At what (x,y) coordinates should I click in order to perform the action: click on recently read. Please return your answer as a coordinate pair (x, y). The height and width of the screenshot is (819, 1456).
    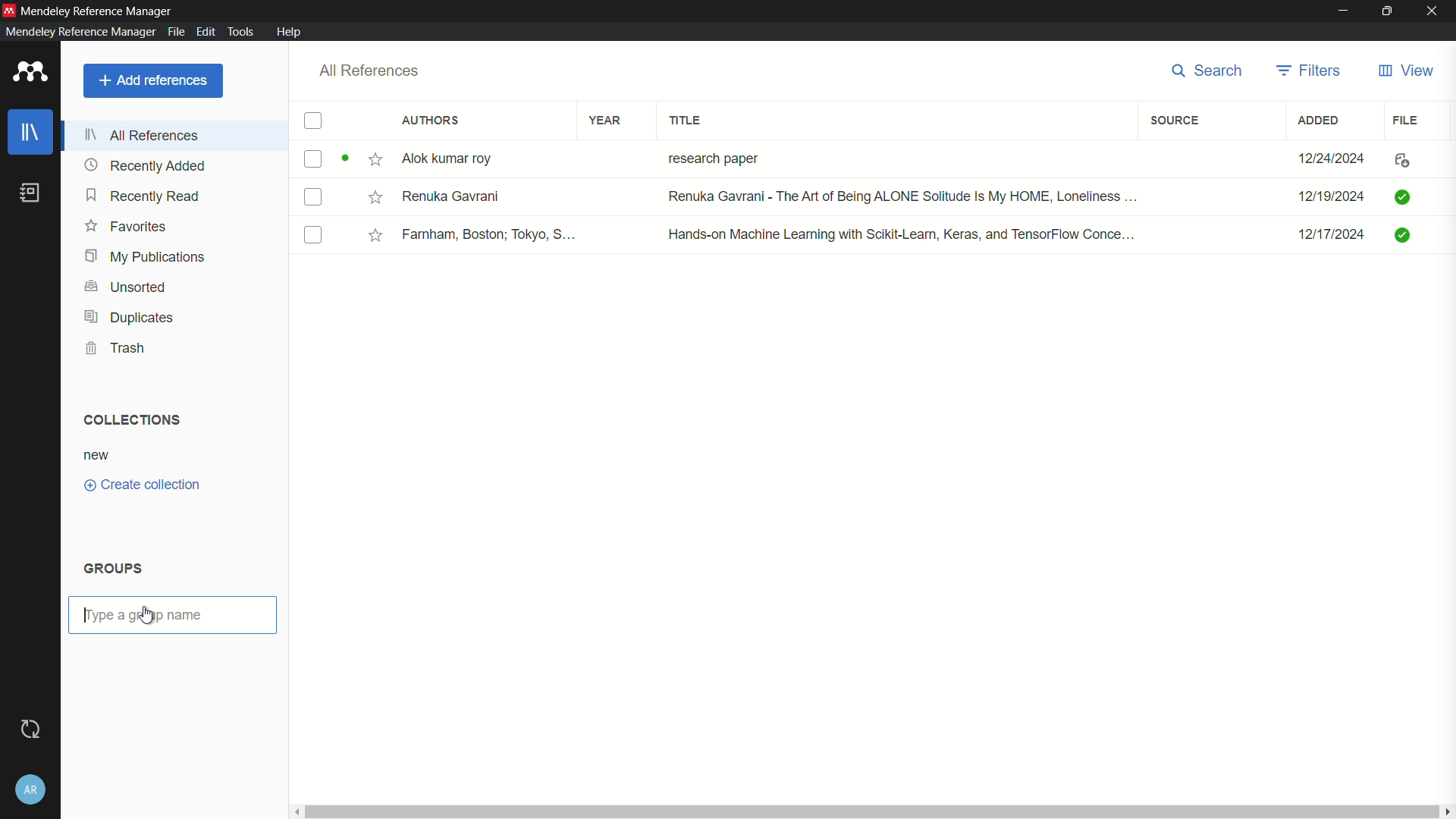
    Looking at the image, I should click on (144, 197).